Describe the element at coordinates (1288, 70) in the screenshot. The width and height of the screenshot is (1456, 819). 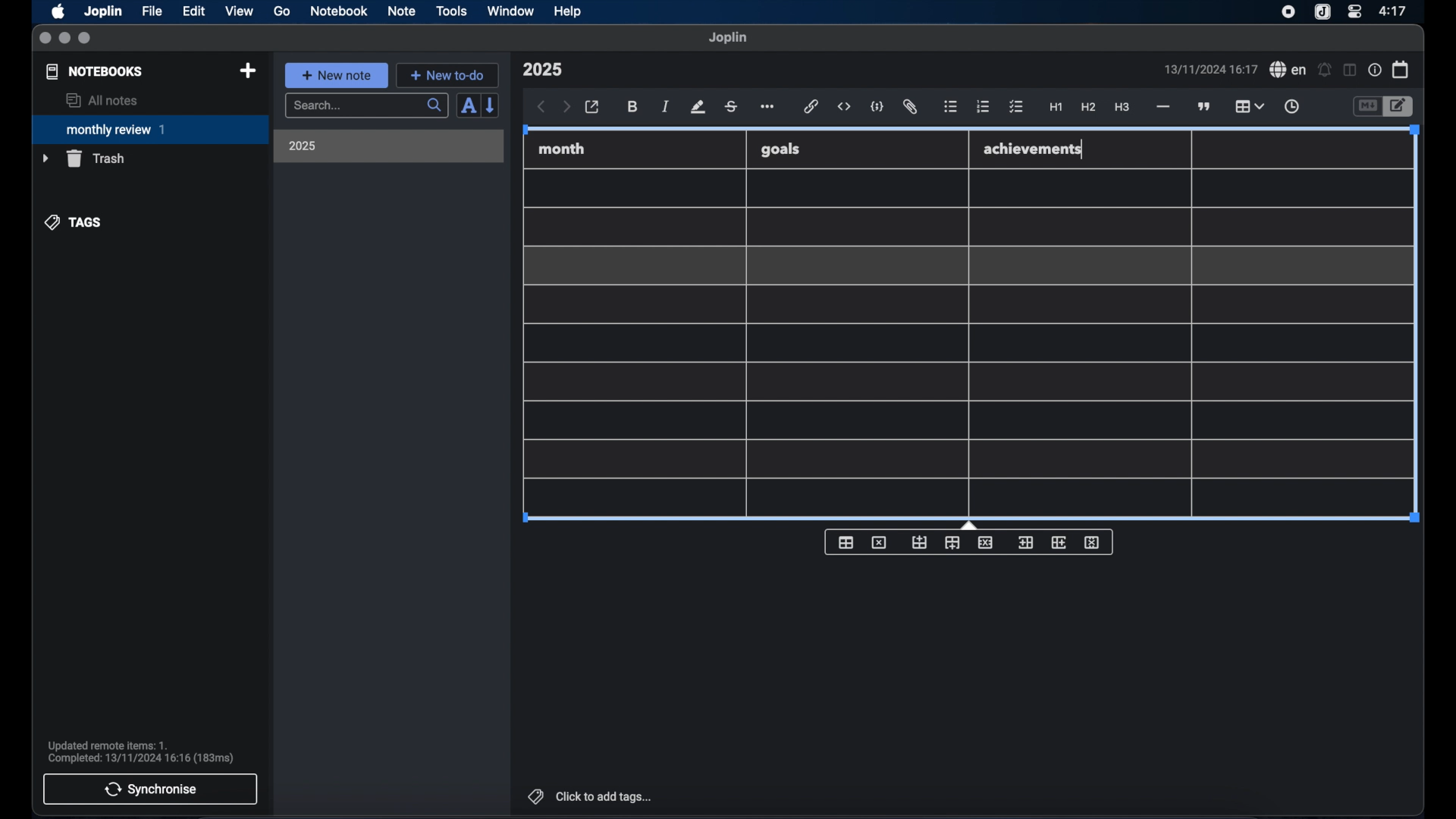
I see `spel check` at that location.